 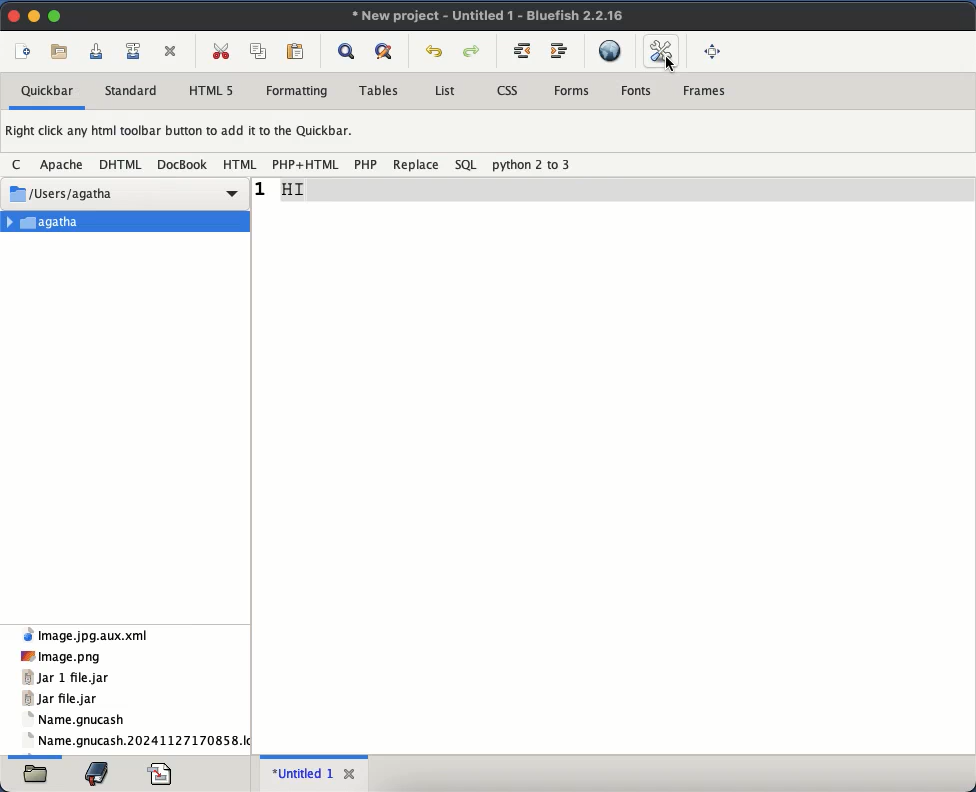 I want to click on new project, so click(x=490, y=17).